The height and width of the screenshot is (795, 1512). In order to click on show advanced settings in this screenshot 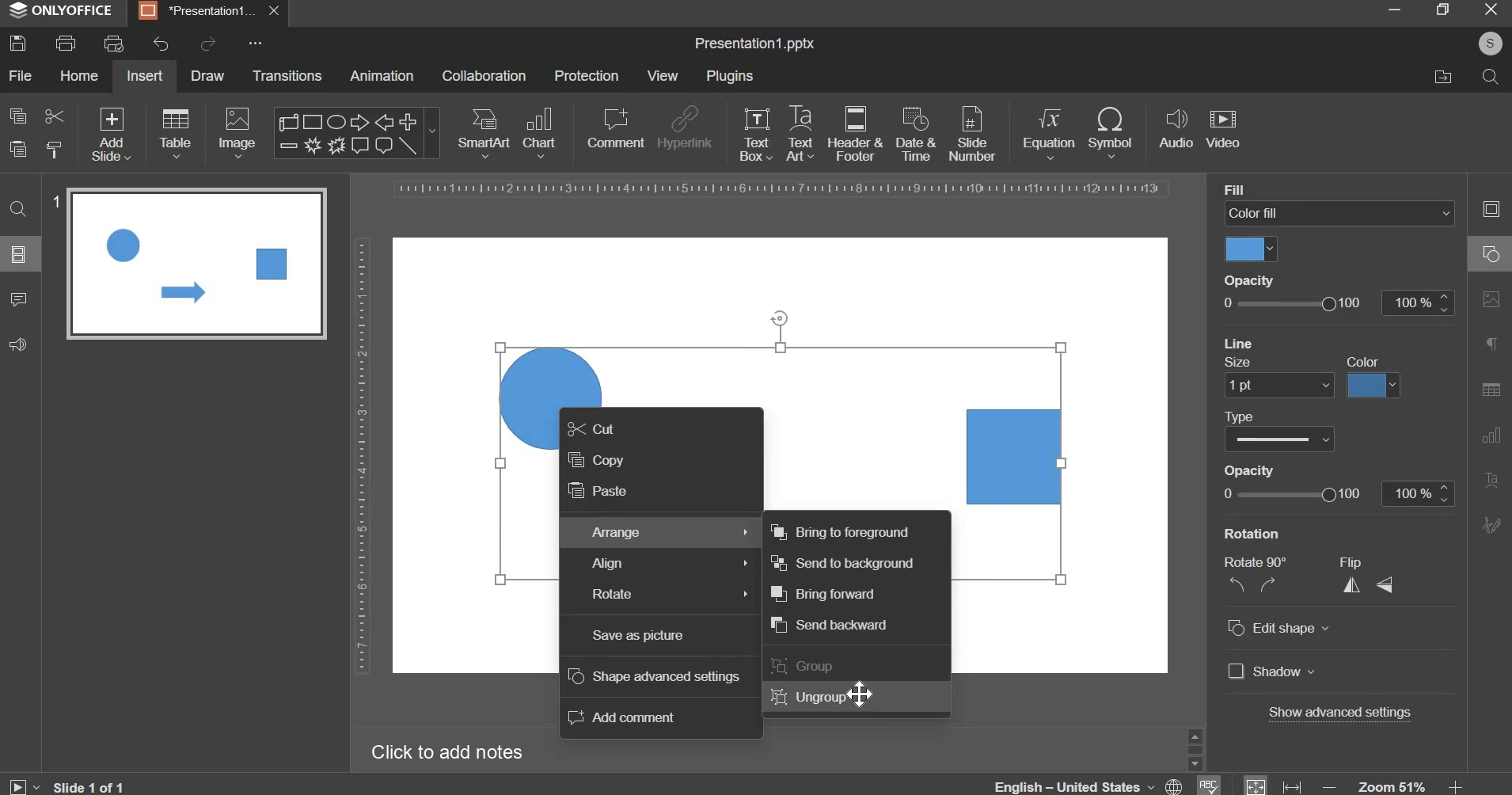, I will do `click(1343, 714)`.